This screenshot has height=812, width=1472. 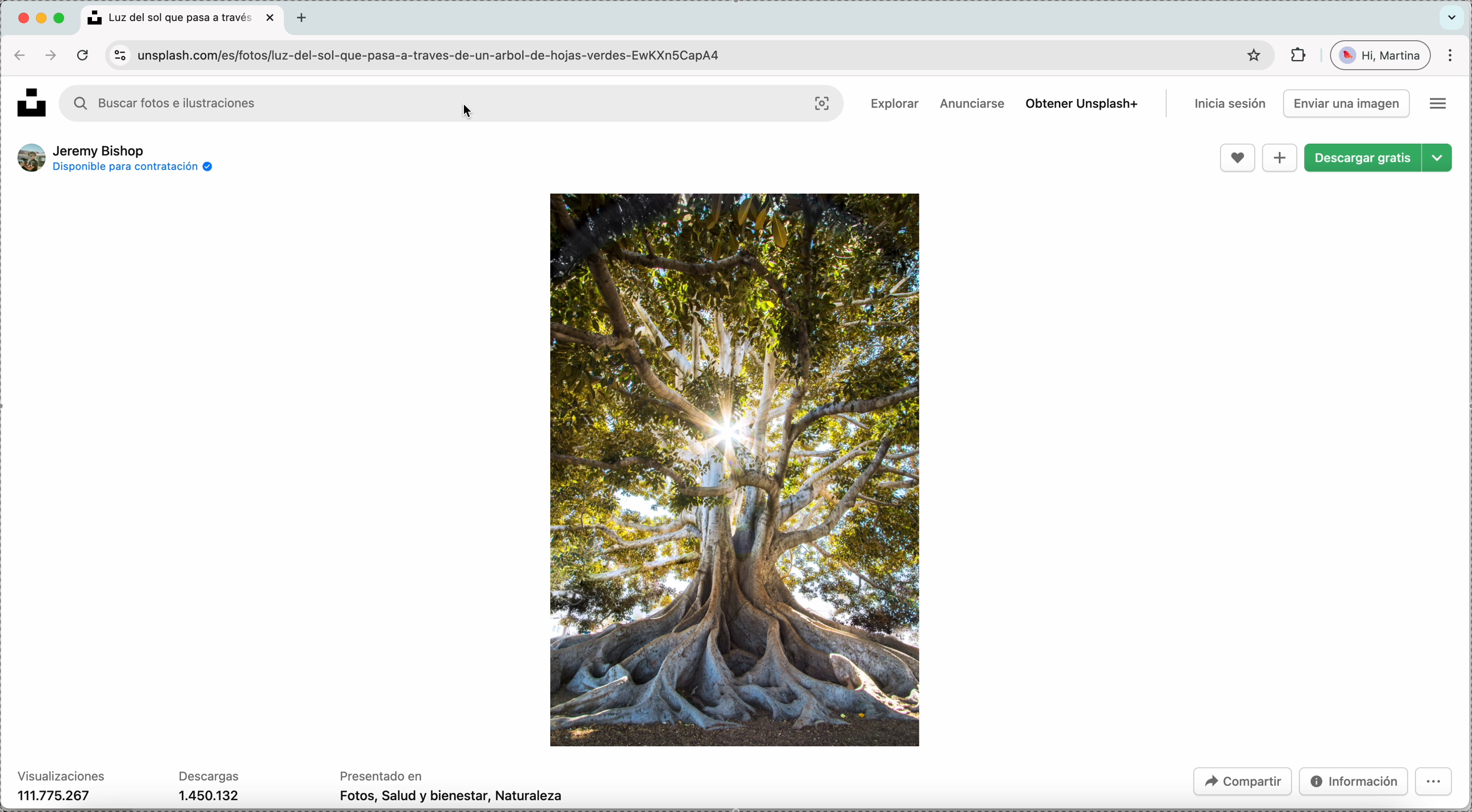 I want to click on nature's image, so click(x=735, y=468).